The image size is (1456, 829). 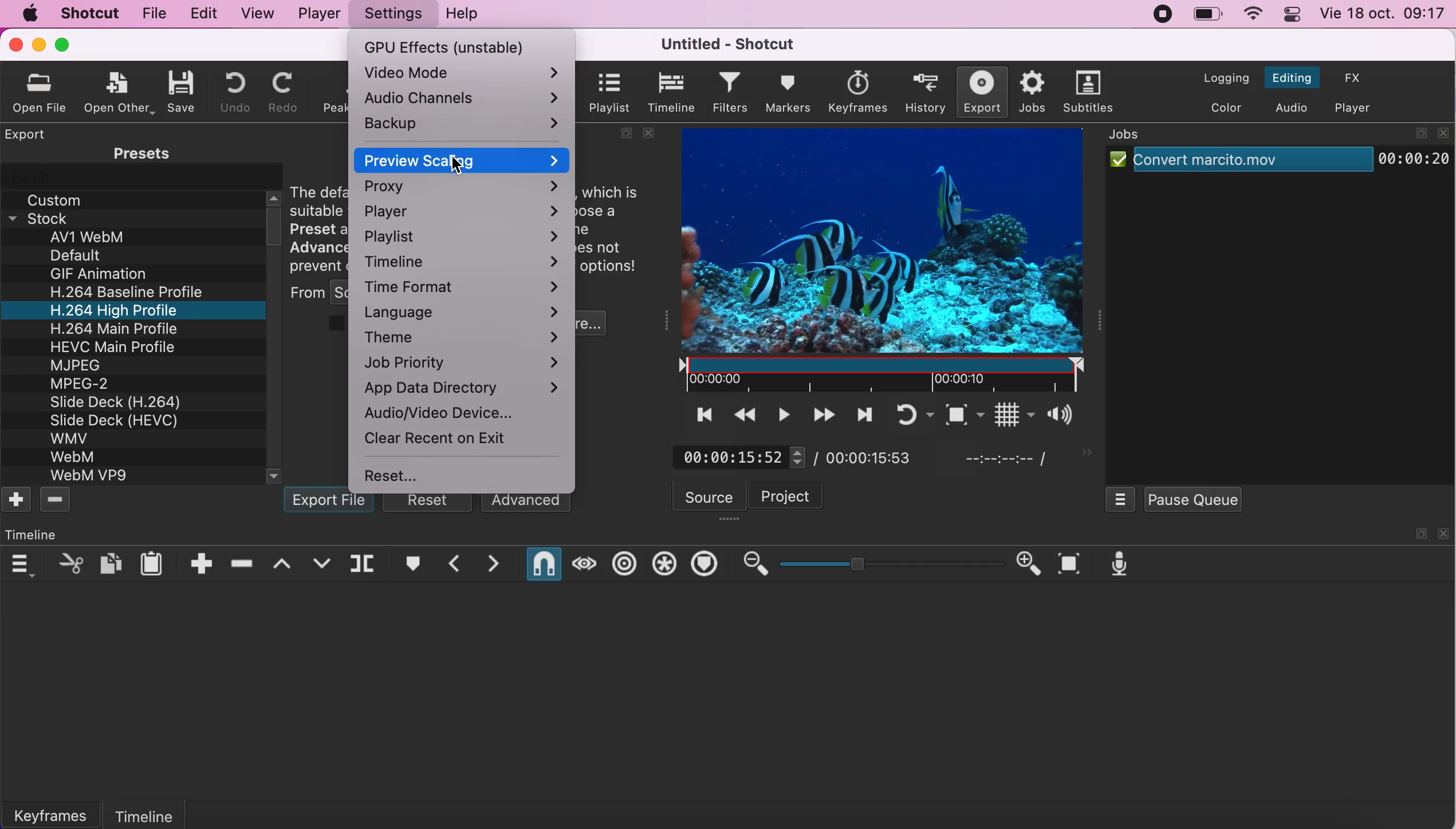 I want to click on presets, so click(x=135, y=153).